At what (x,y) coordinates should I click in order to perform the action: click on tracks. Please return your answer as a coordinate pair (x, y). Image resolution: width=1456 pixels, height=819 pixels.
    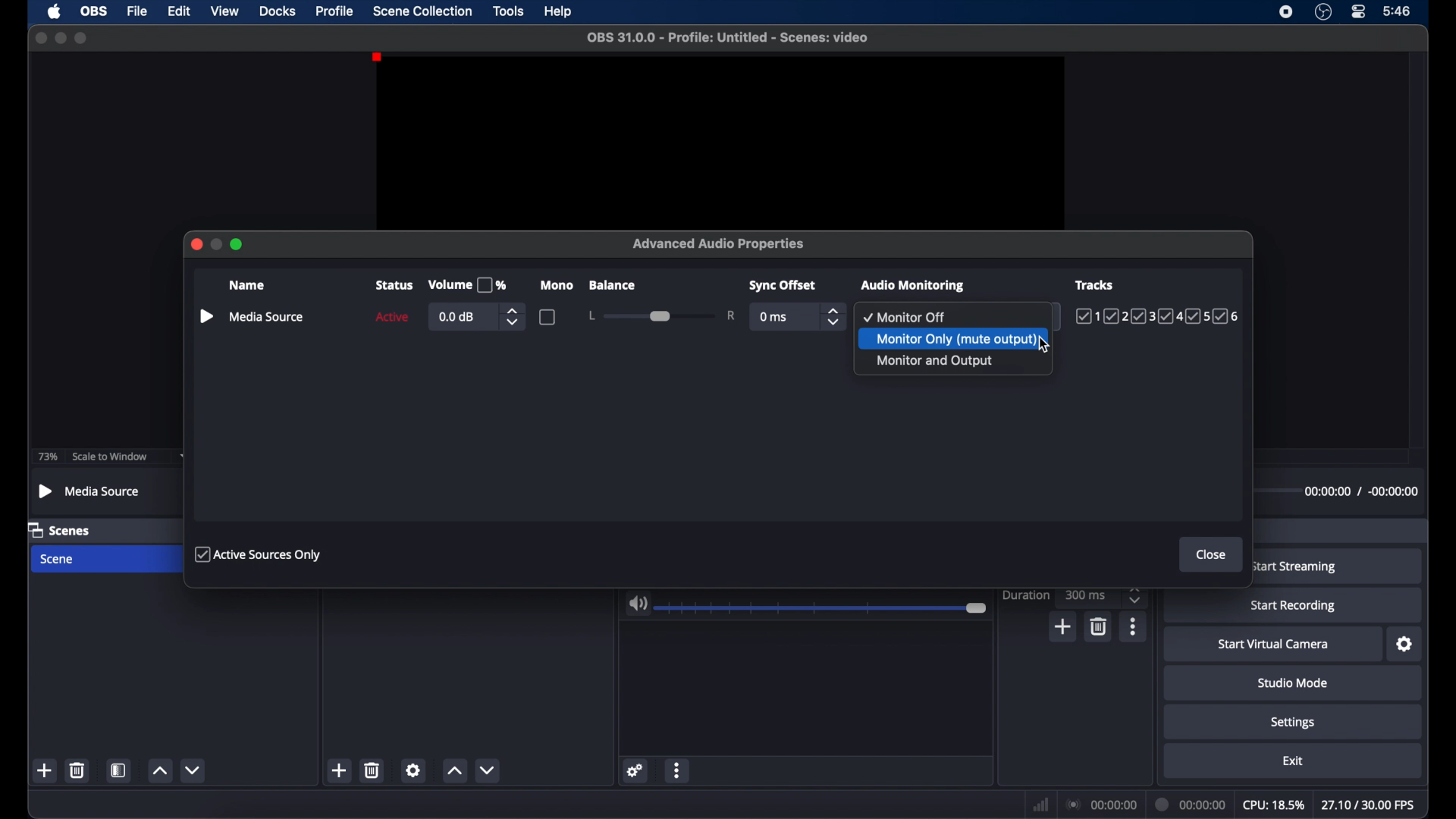
    Looking at the image, I should click on (1159, 317).